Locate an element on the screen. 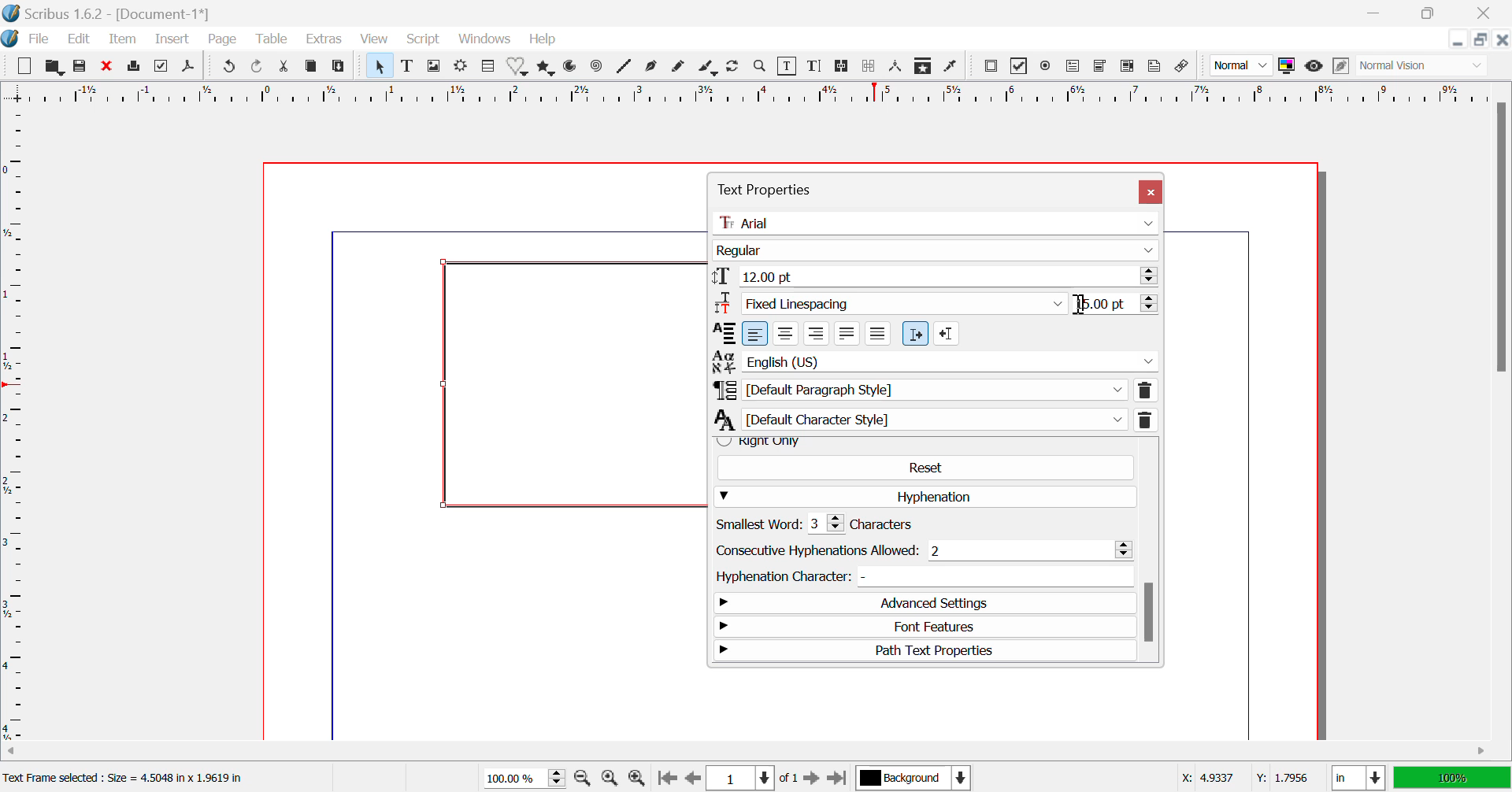  Insert is located at coordinates (174, 39).